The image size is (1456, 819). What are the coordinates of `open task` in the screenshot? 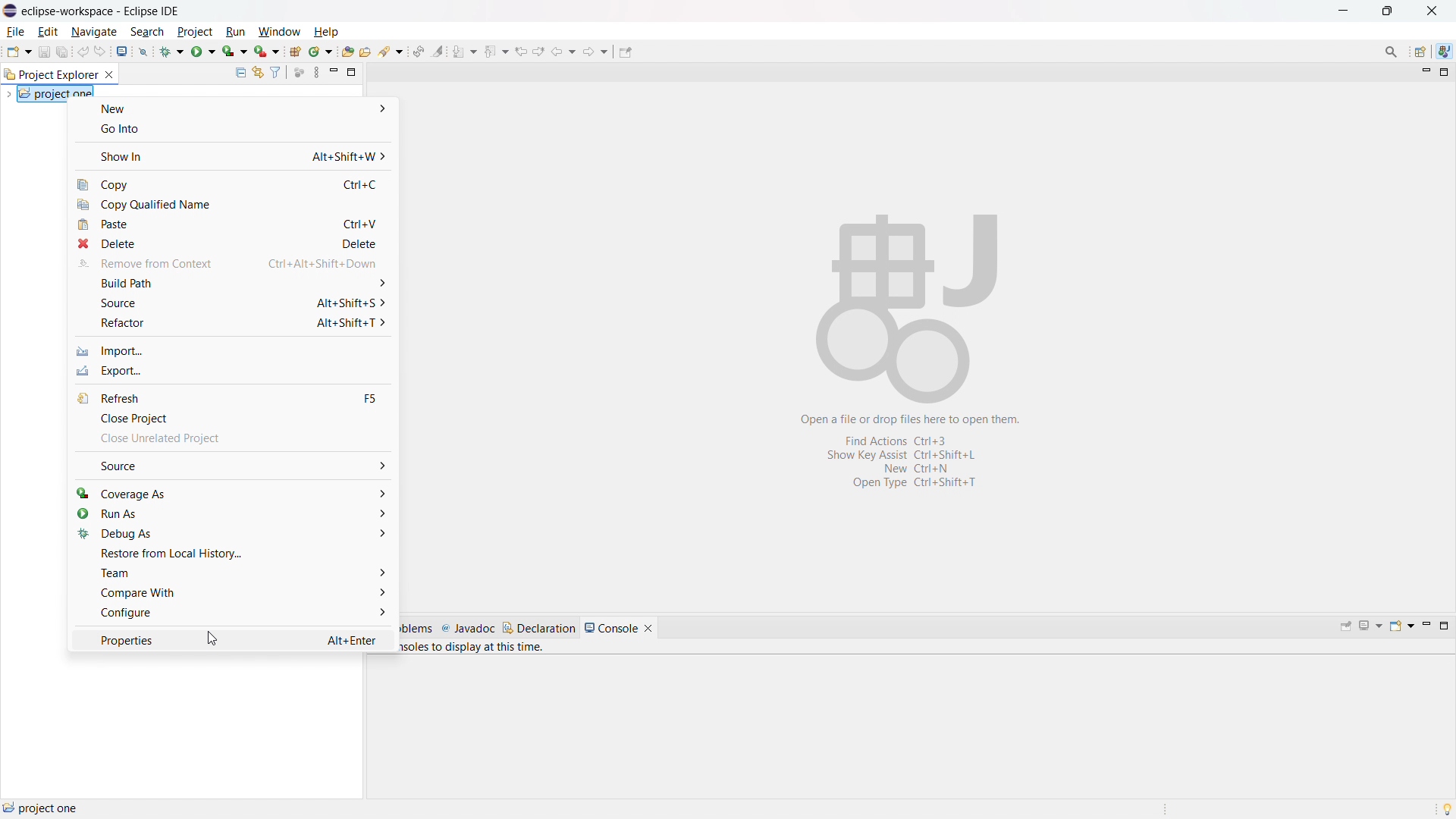 It's located at (366, 51).